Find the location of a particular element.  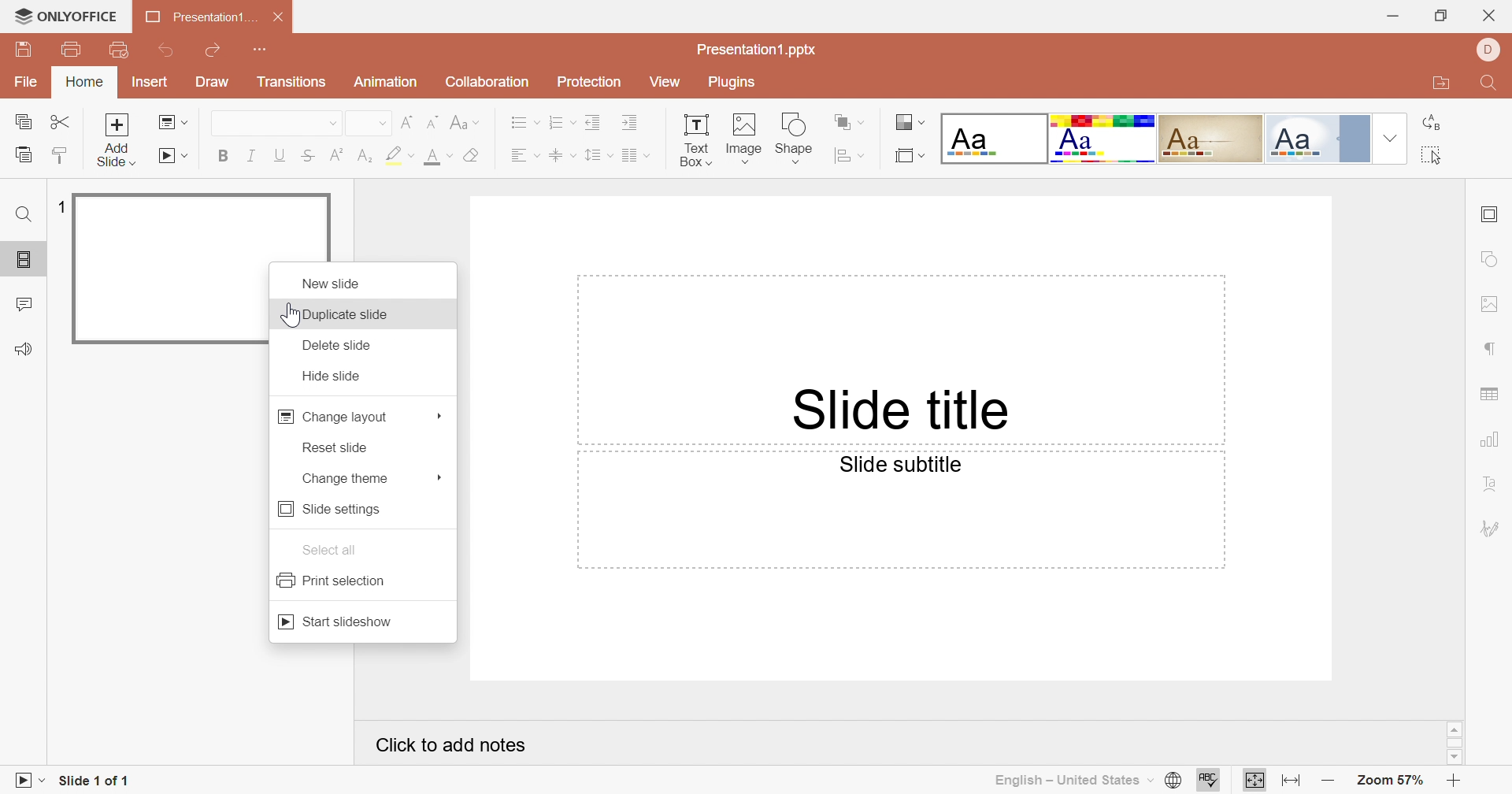

Comments is located at coordinates (28, 305).